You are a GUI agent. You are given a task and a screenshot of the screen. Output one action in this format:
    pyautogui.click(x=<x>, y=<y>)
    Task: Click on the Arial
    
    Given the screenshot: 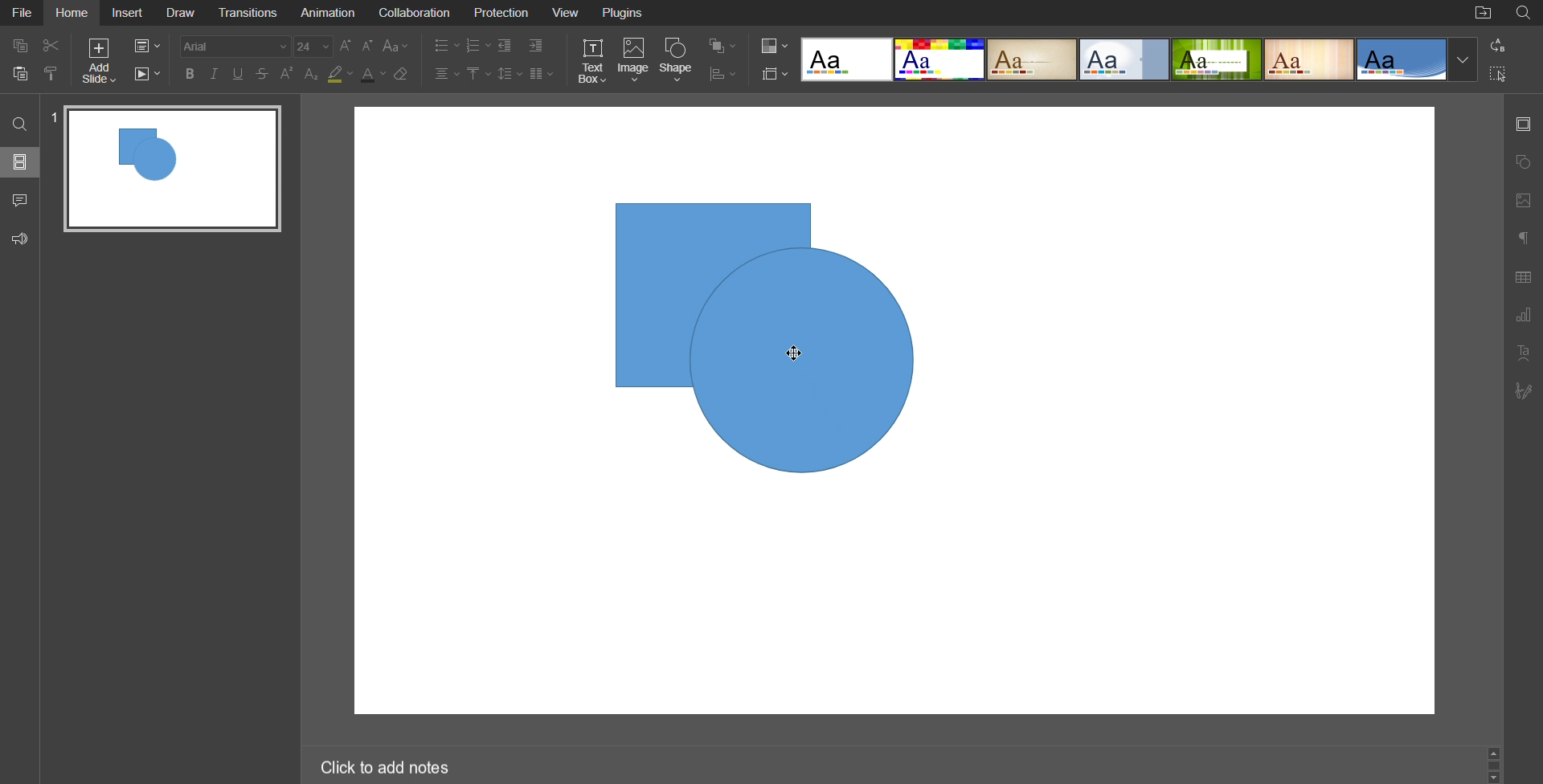 What is the action you would take?
    pyautogui.click(x=235, y=46)
    